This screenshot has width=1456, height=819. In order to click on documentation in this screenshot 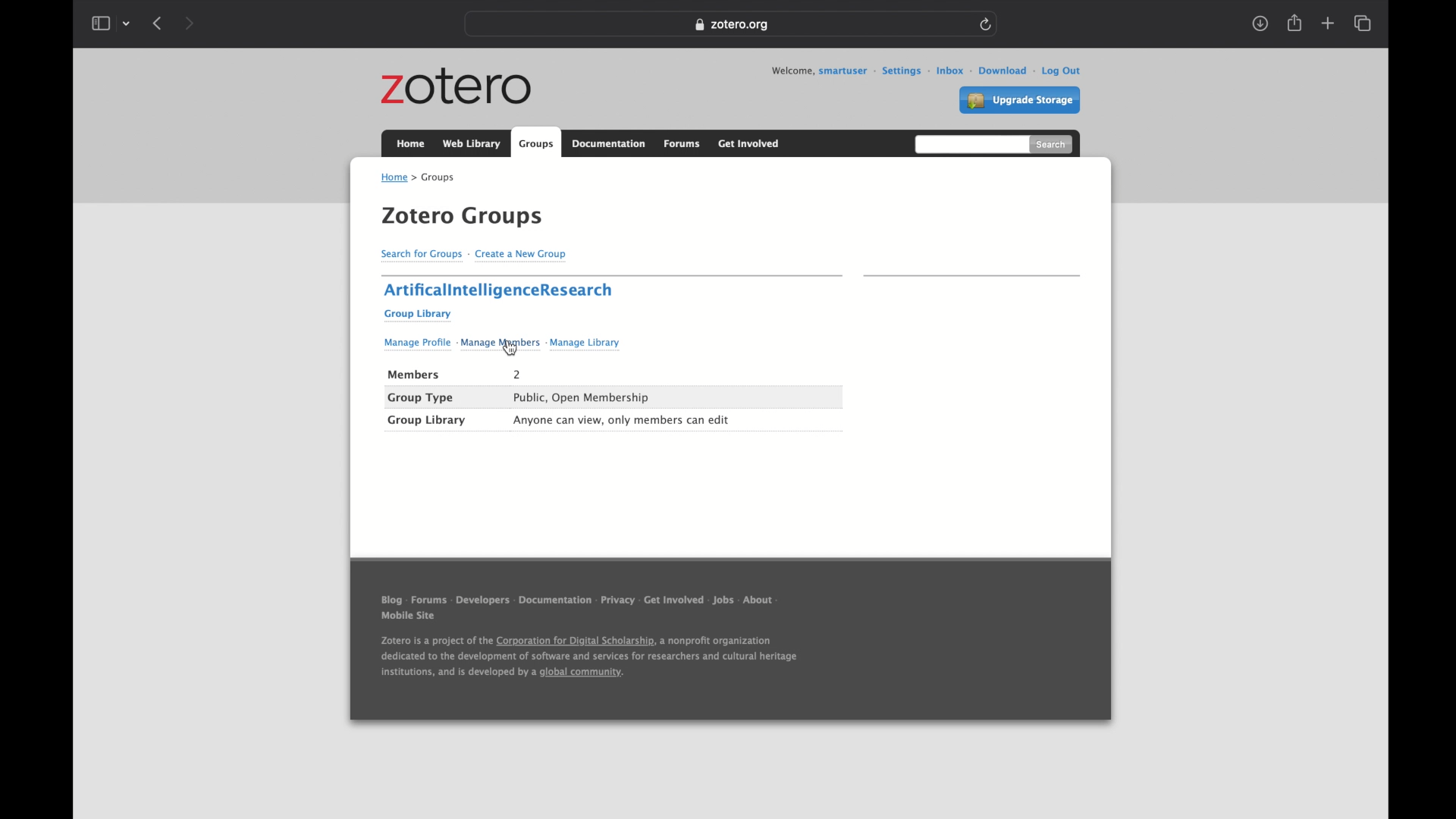, I will do `click(555, 601)`.